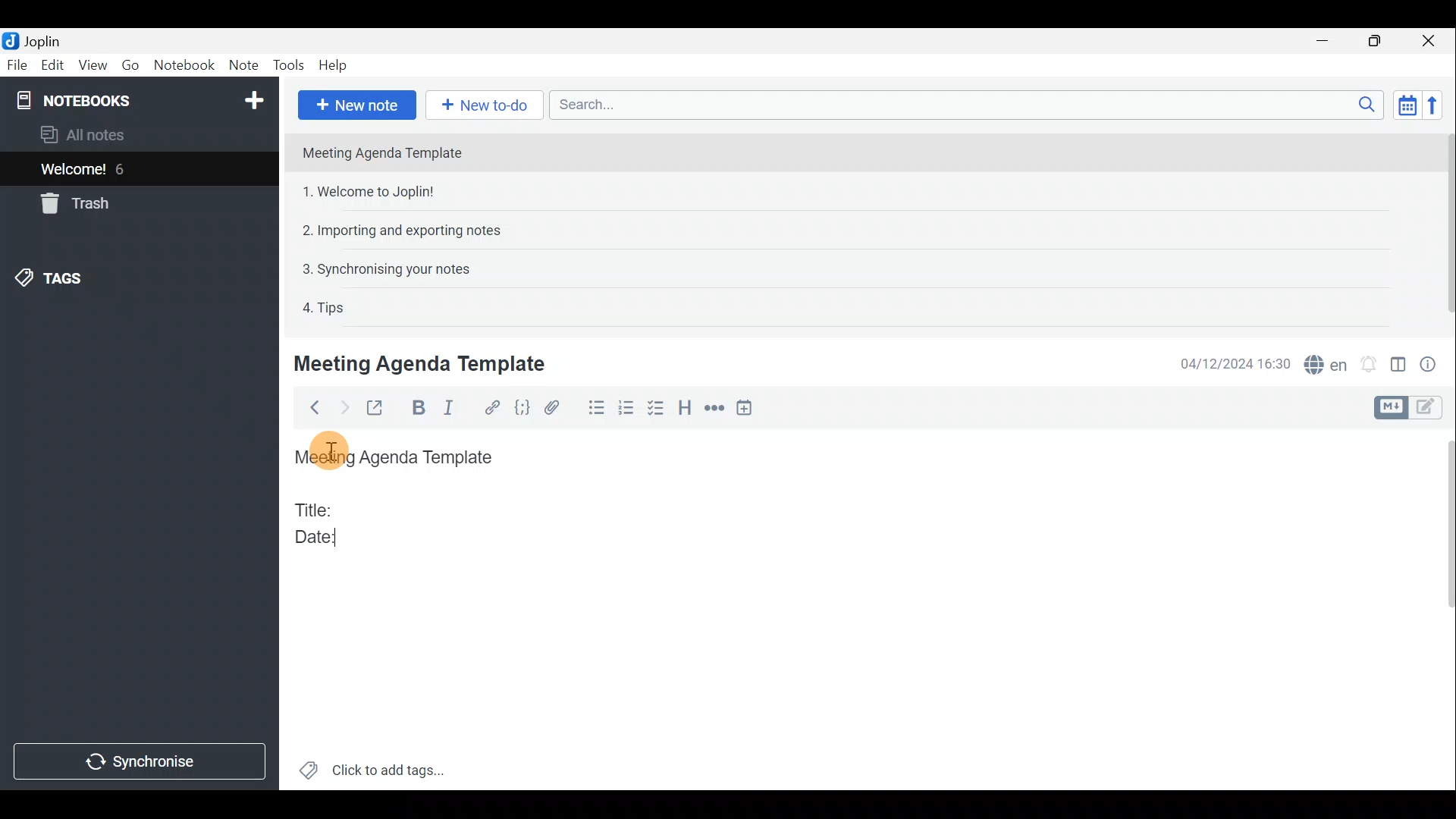  Describe the element at coordinates (336, 65) in the screenshot. I see `Help` at that location.